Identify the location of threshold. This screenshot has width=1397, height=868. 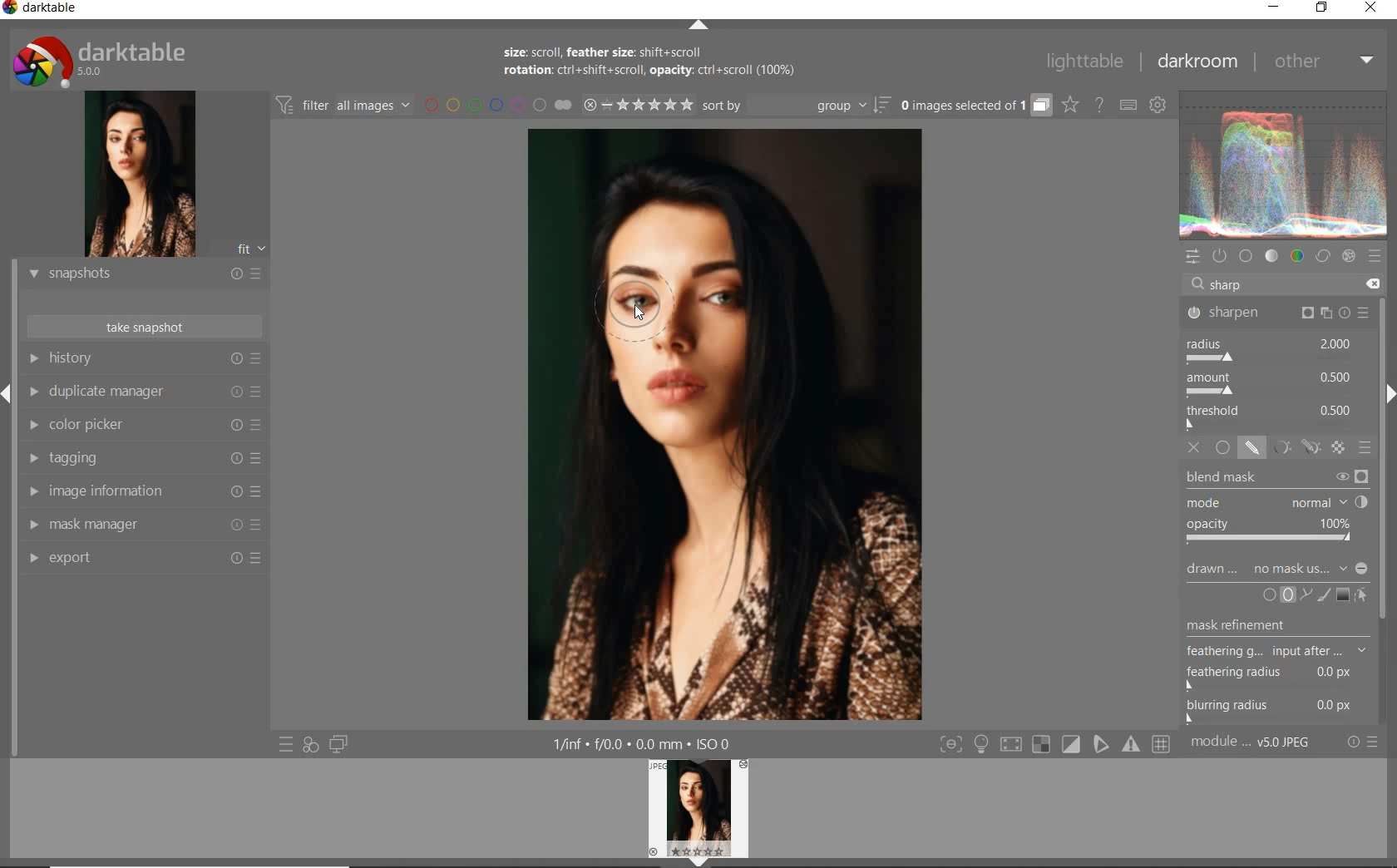
(1274, 417).